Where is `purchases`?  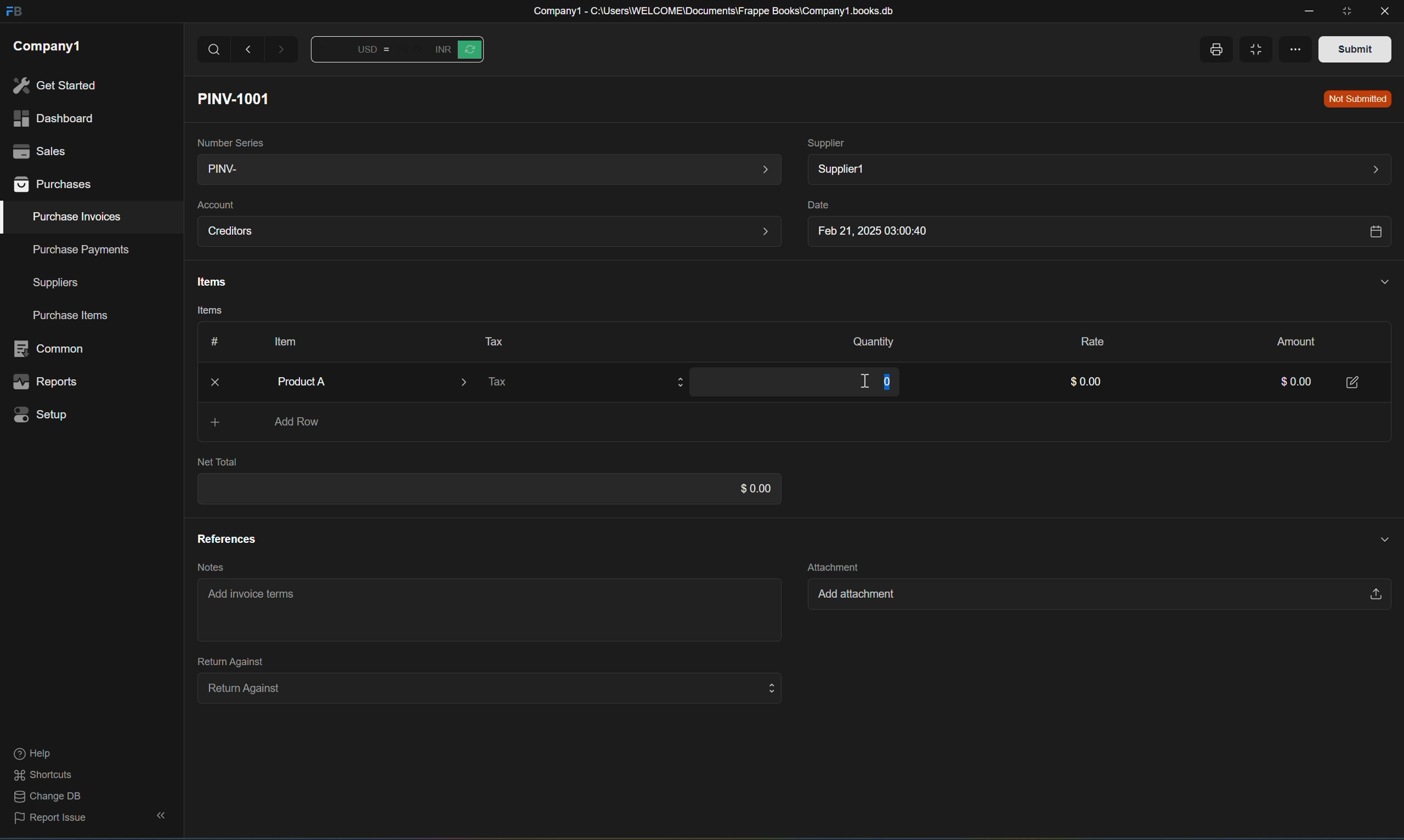 purchases is located at coordinates (54, 186).